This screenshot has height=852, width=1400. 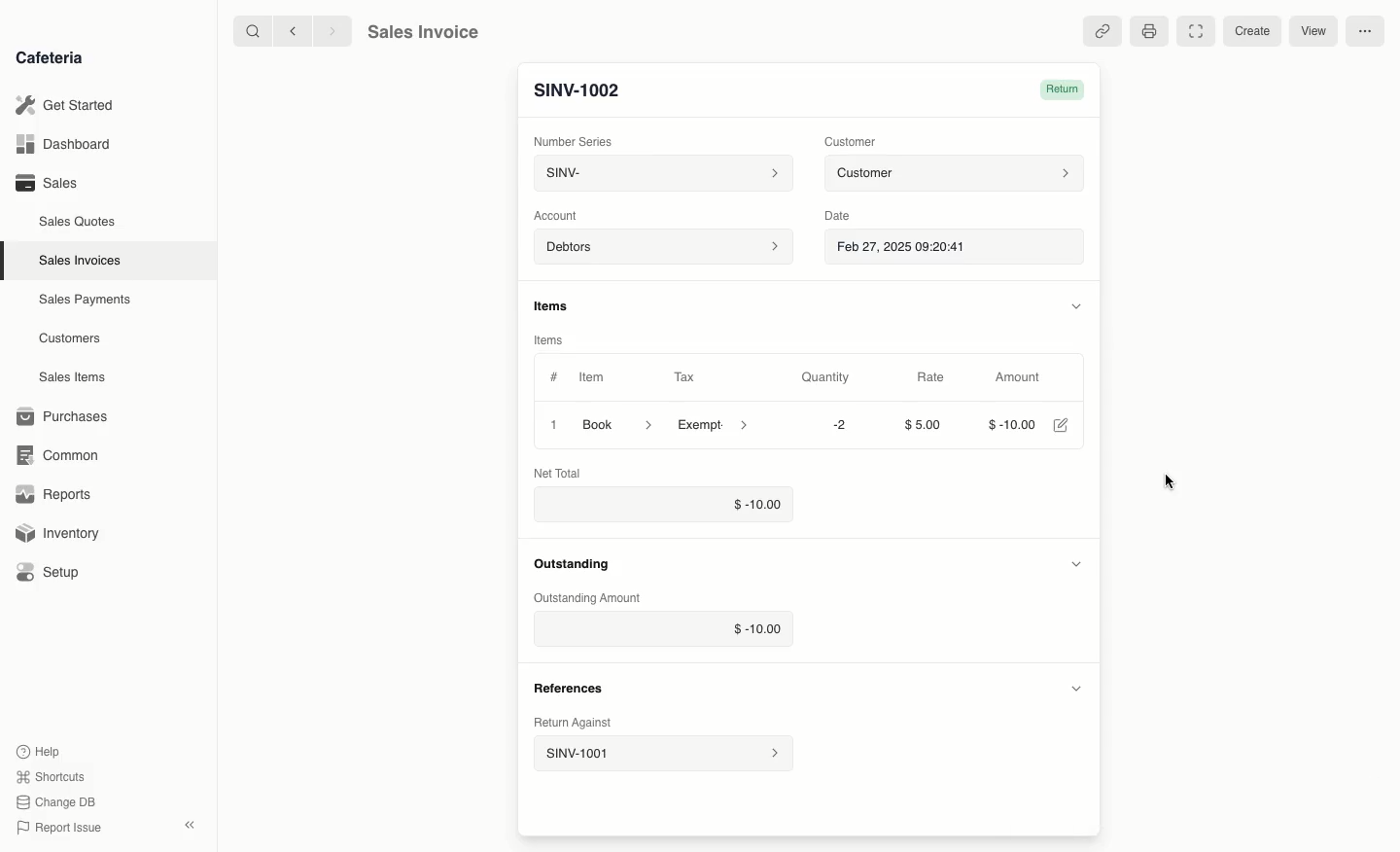 I want to click on Hide, so click(x=1075, y=688).